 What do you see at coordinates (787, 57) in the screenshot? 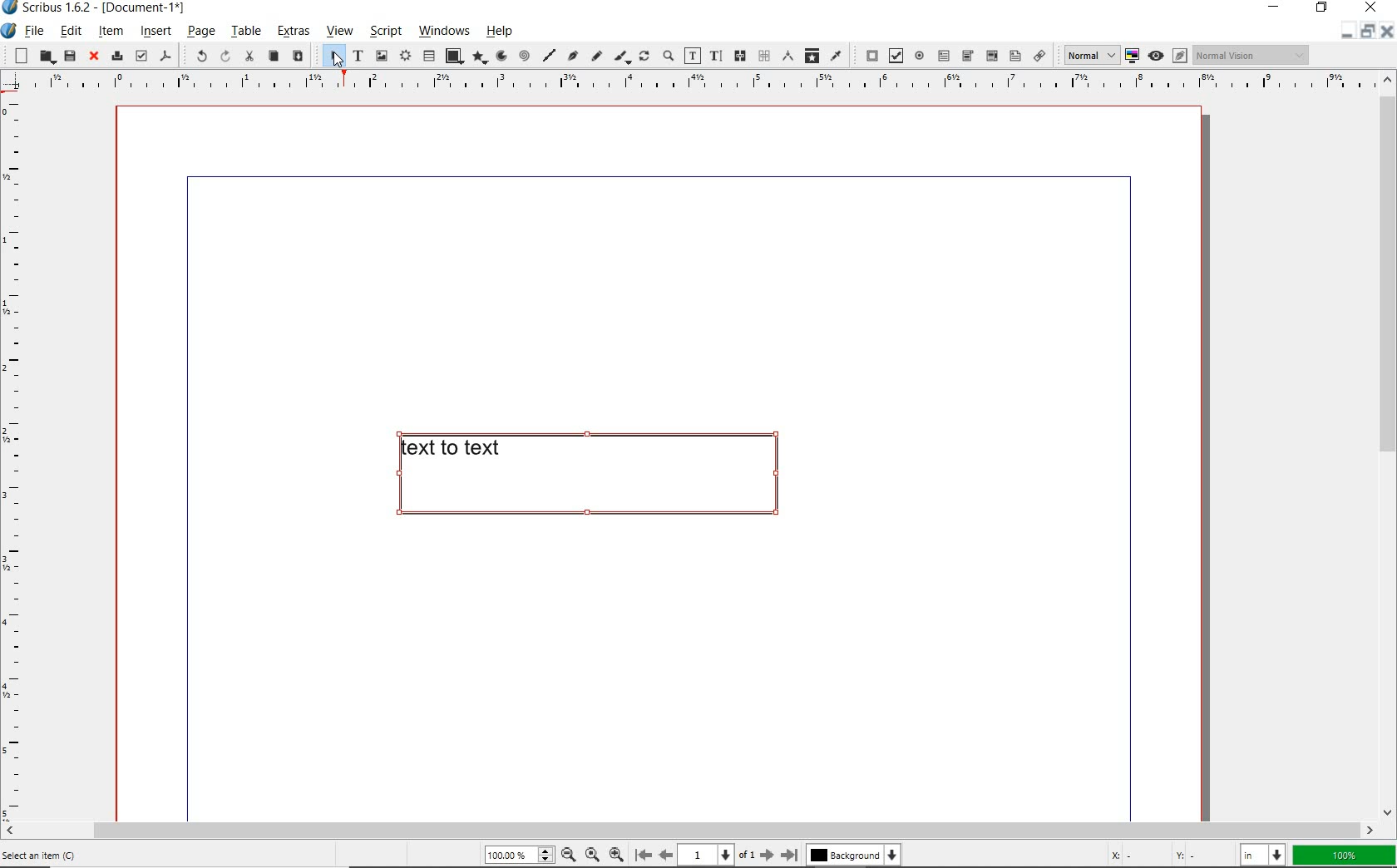
I see `measurements` at bounding box center [787, 57].